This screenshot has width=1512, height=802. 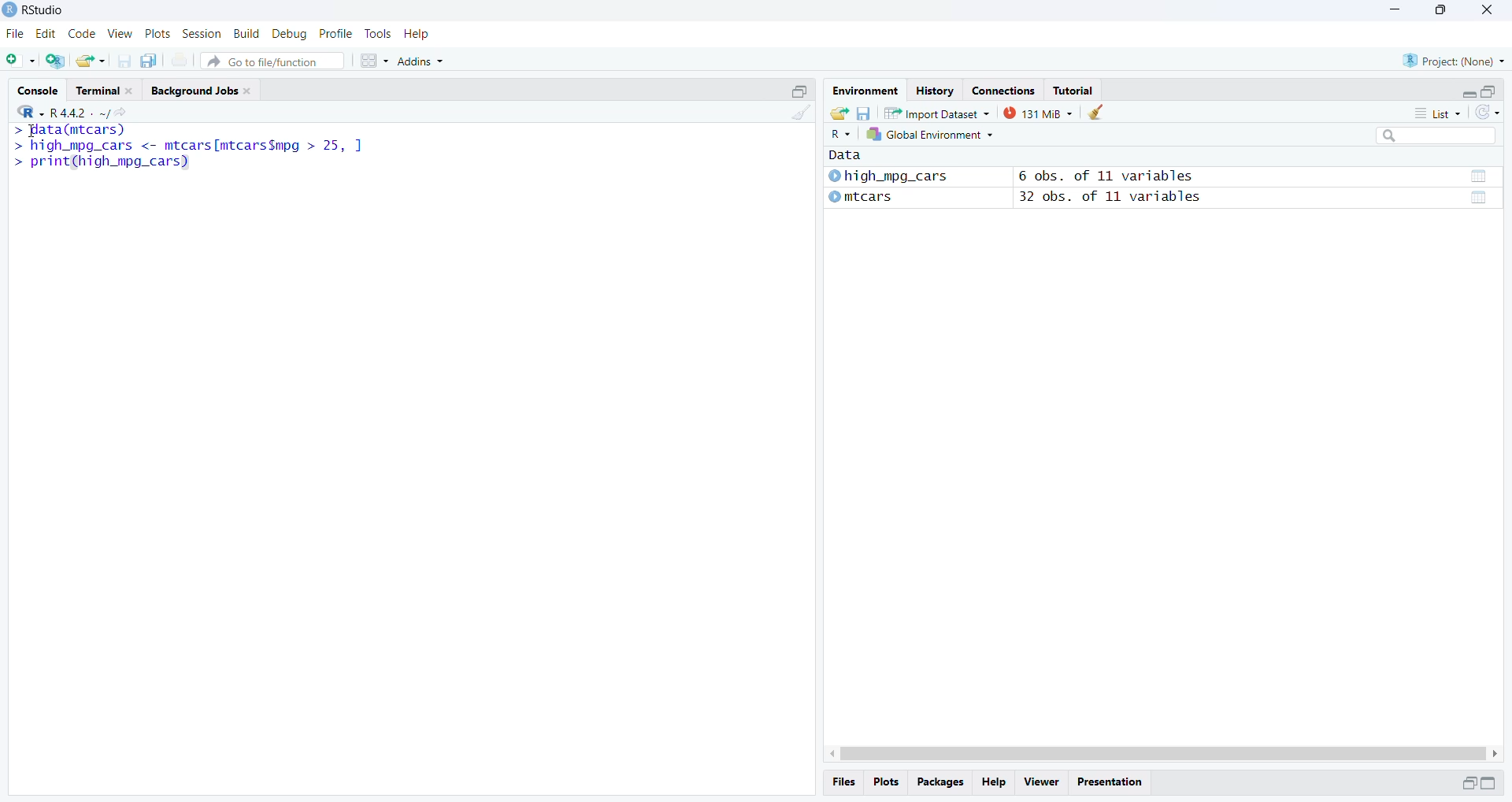 I want to click on search, so click(x=1436, y=136).